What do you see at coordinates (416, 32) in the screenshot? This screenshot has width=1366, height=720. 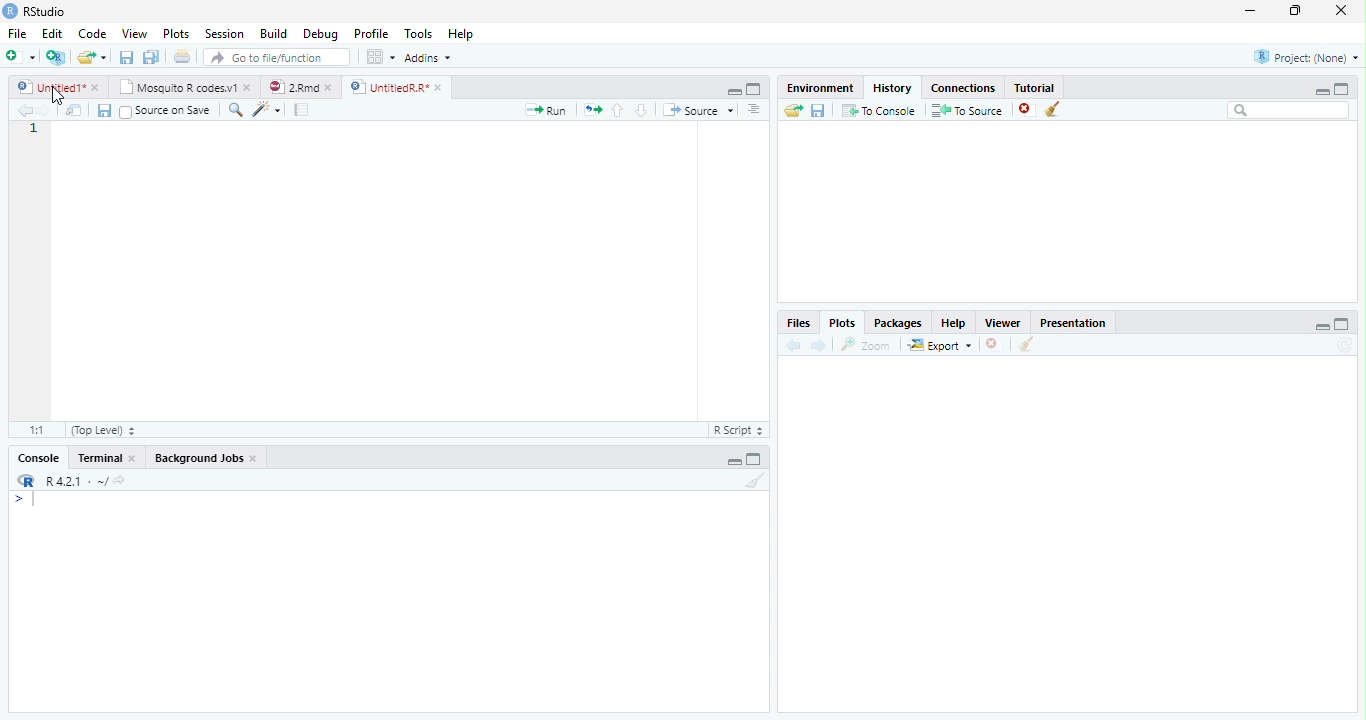 I see `Tools` at bounding box center [416, 32].